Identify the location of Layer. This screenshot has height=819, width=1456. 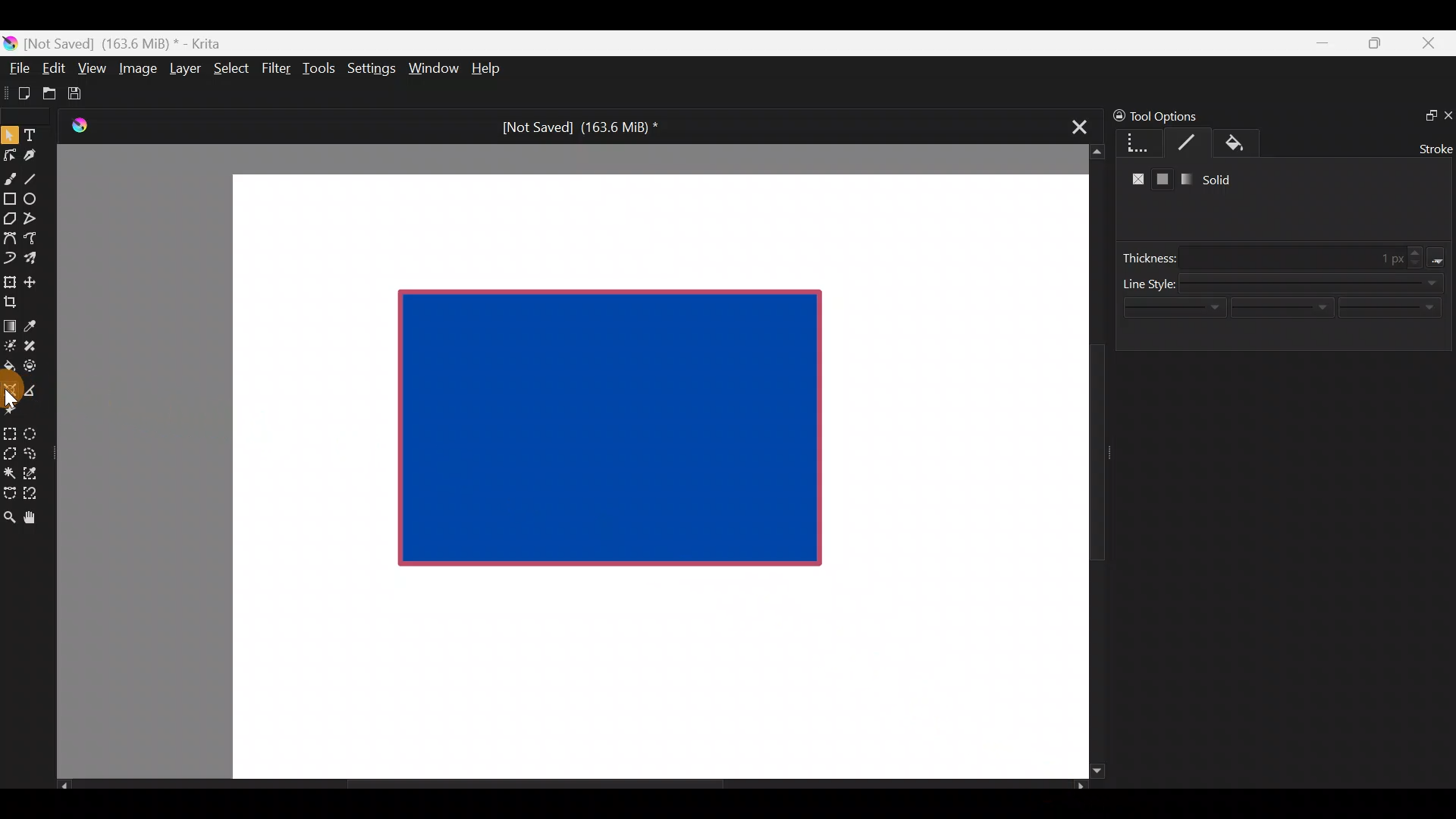
(184, 72).